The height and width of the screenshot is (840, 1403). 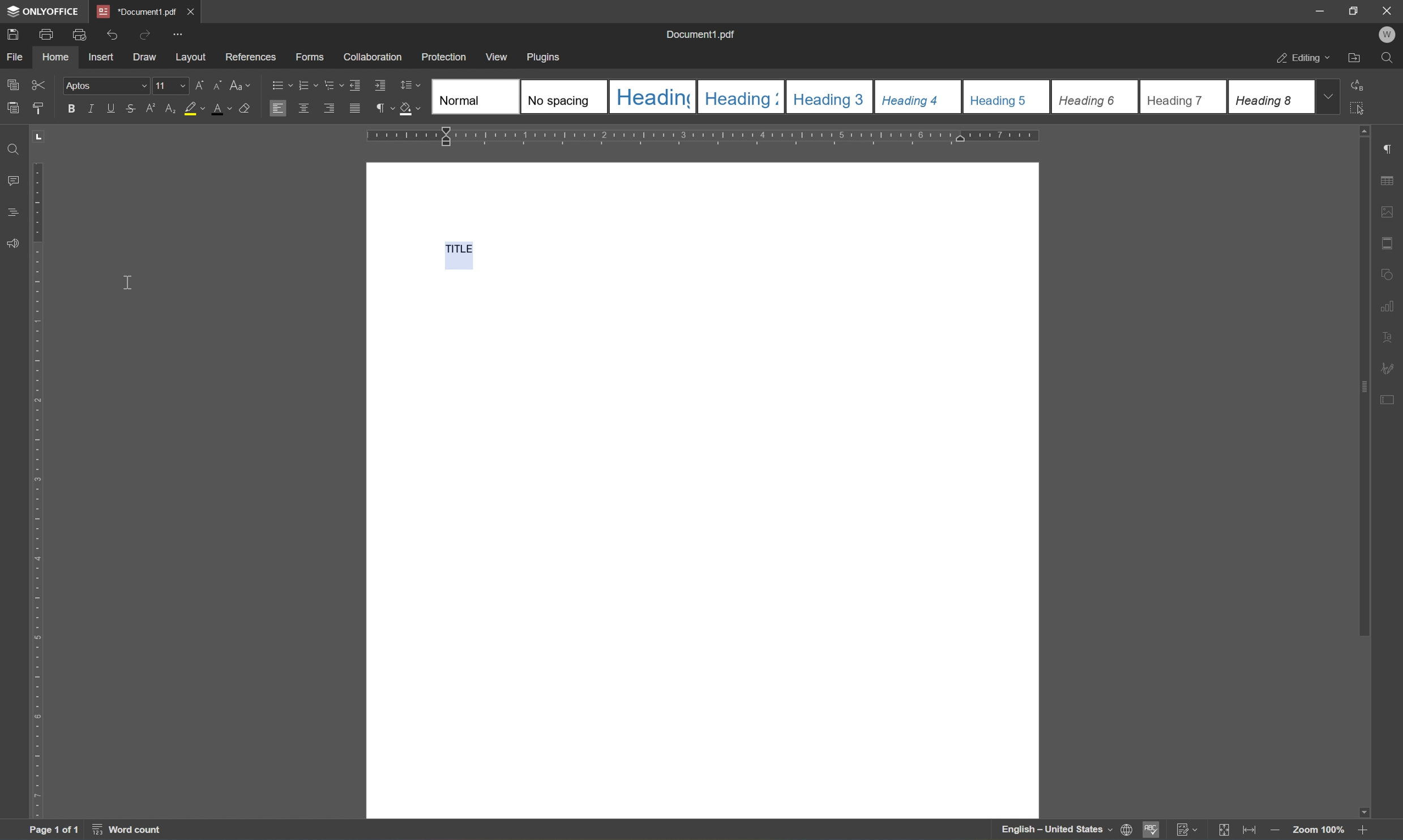 I want to click on track changes, so click(x=1187, y=830).